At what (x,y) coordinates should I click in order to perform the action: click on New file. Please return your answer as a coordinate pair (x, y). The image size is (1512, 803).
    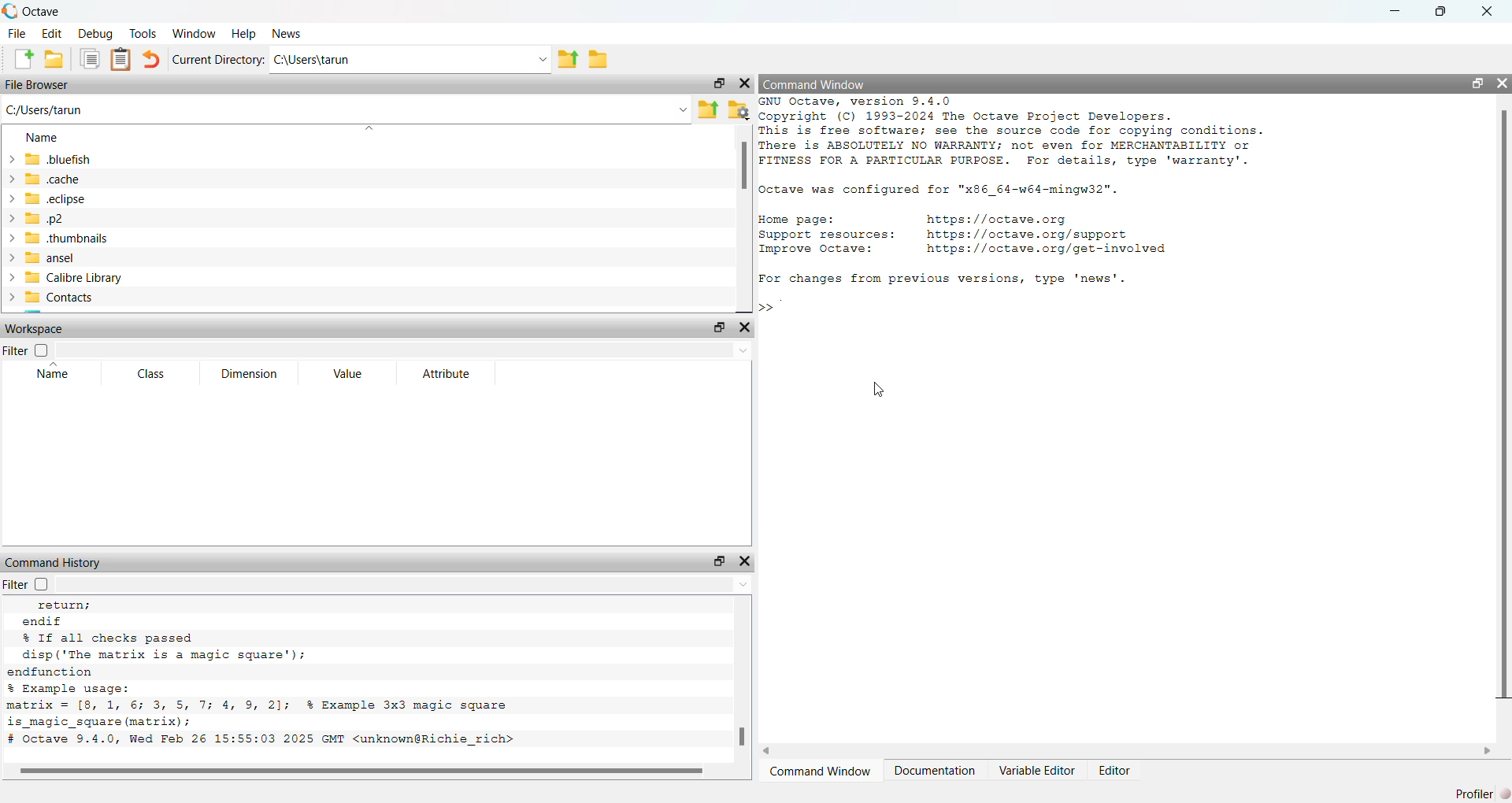
    Looking at the image, I should click on (23, 58).